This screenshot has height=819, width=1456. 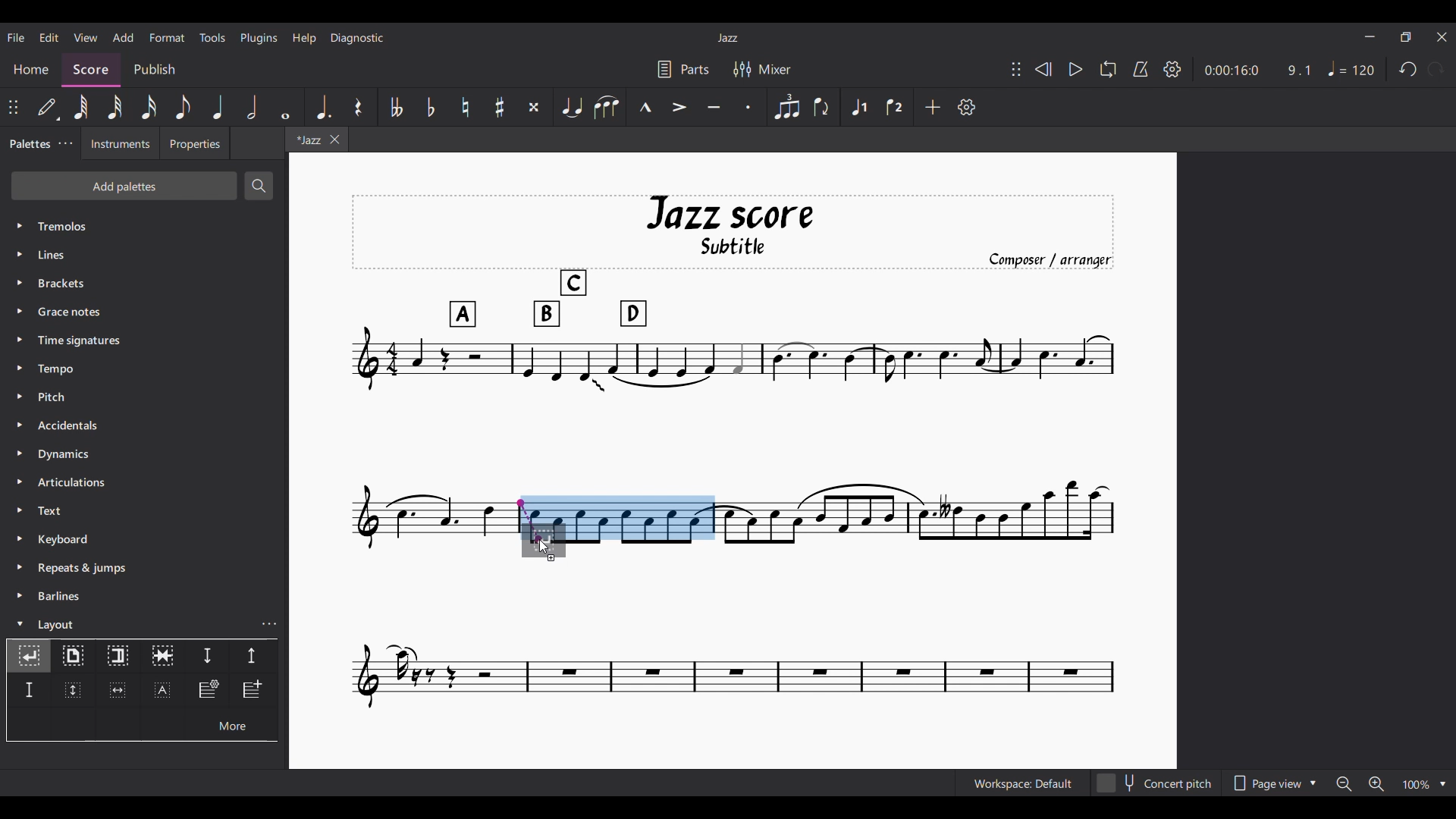 What do you see at coordinates (29, 656) in the screenshot?
I see `System break, highlighted as current selection` at bounding box center [29, 656].